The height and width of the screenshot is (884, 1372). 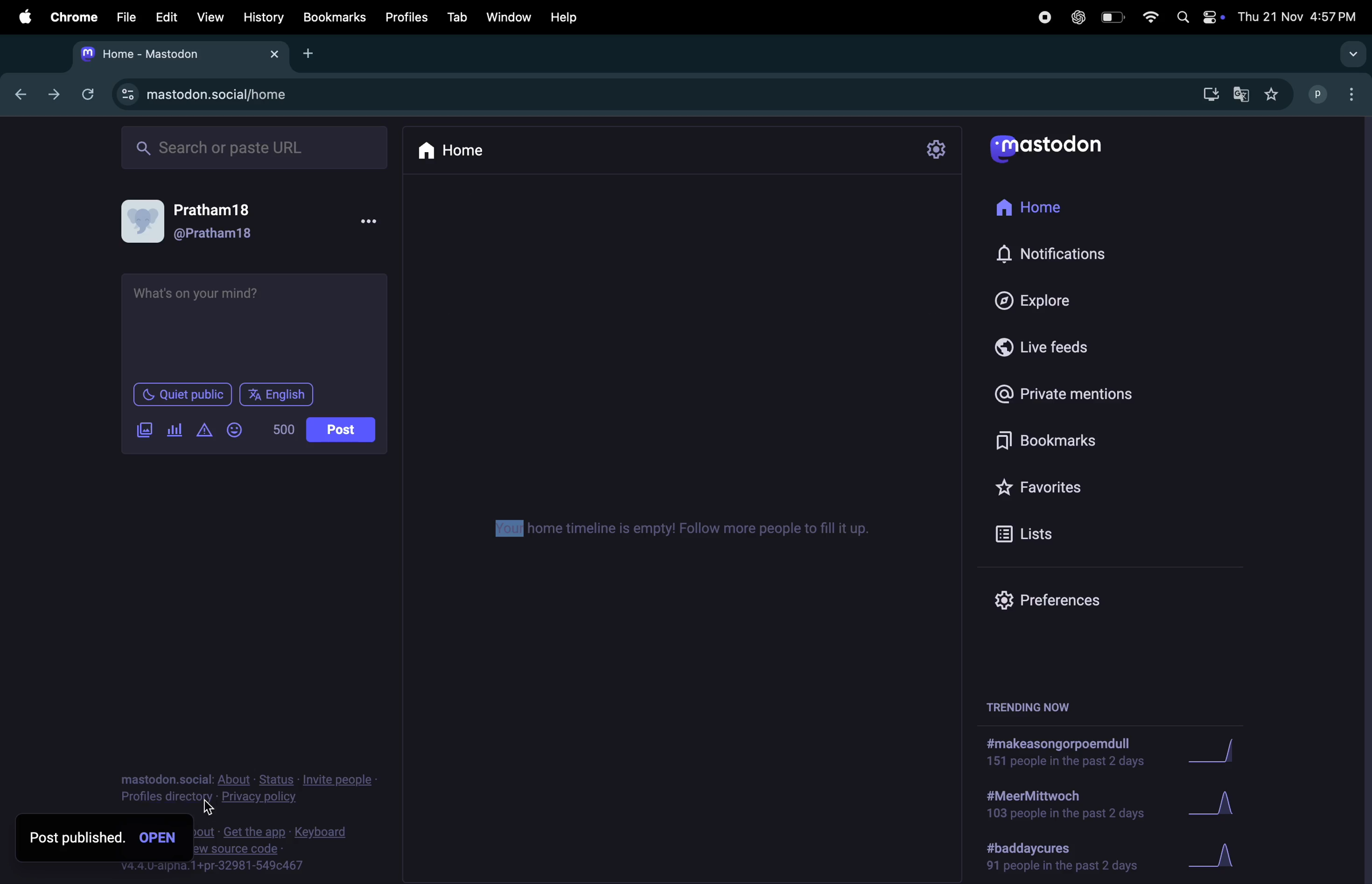 What do you see at coordinates (1056, 348) in the screenshot?
I see `live feeds` at bounding box center [1056, 348].